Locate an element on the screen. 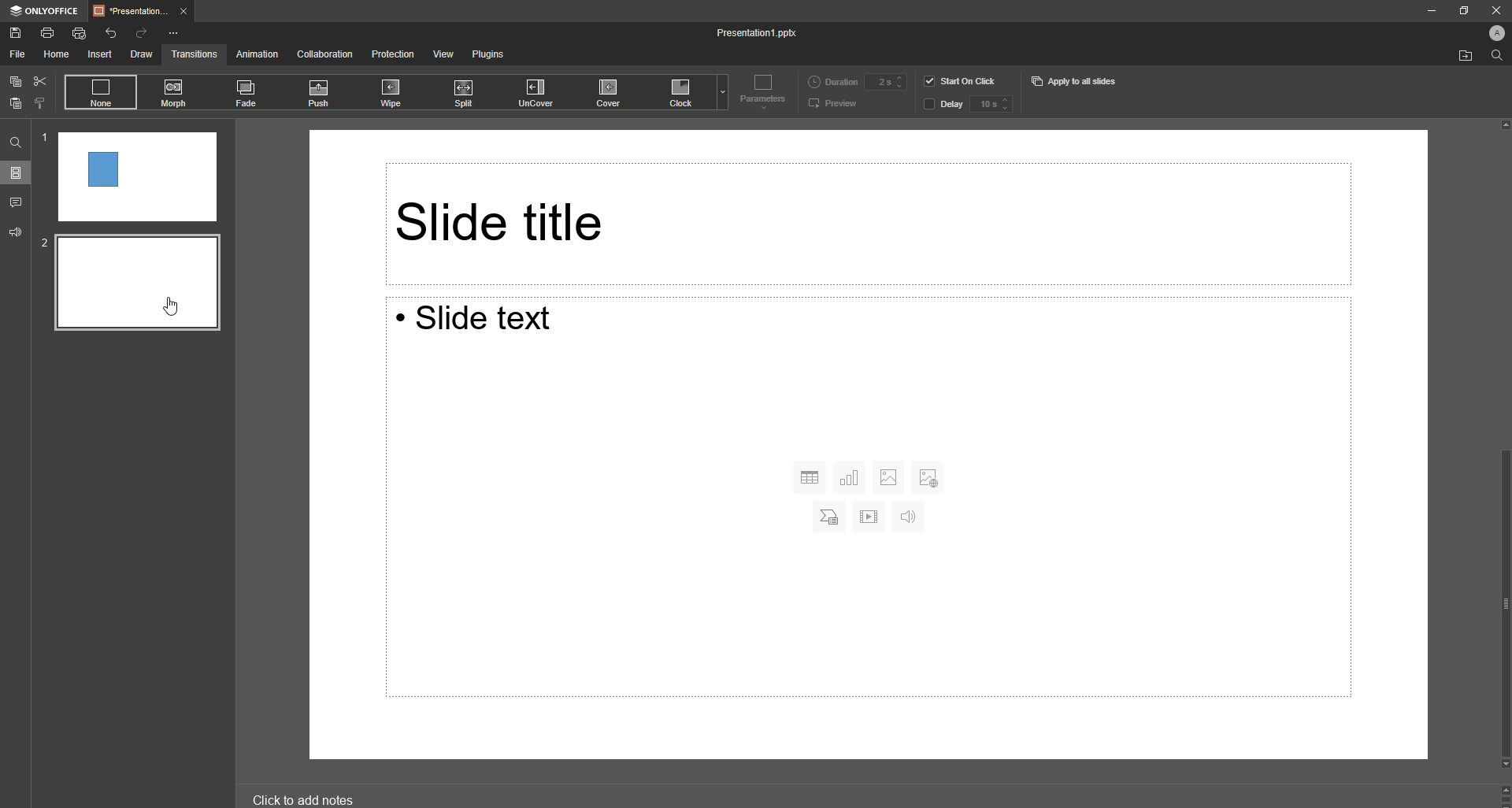 The width and height of the screenshot is (1512, 808). Copy is located at coordinates (13, 83).